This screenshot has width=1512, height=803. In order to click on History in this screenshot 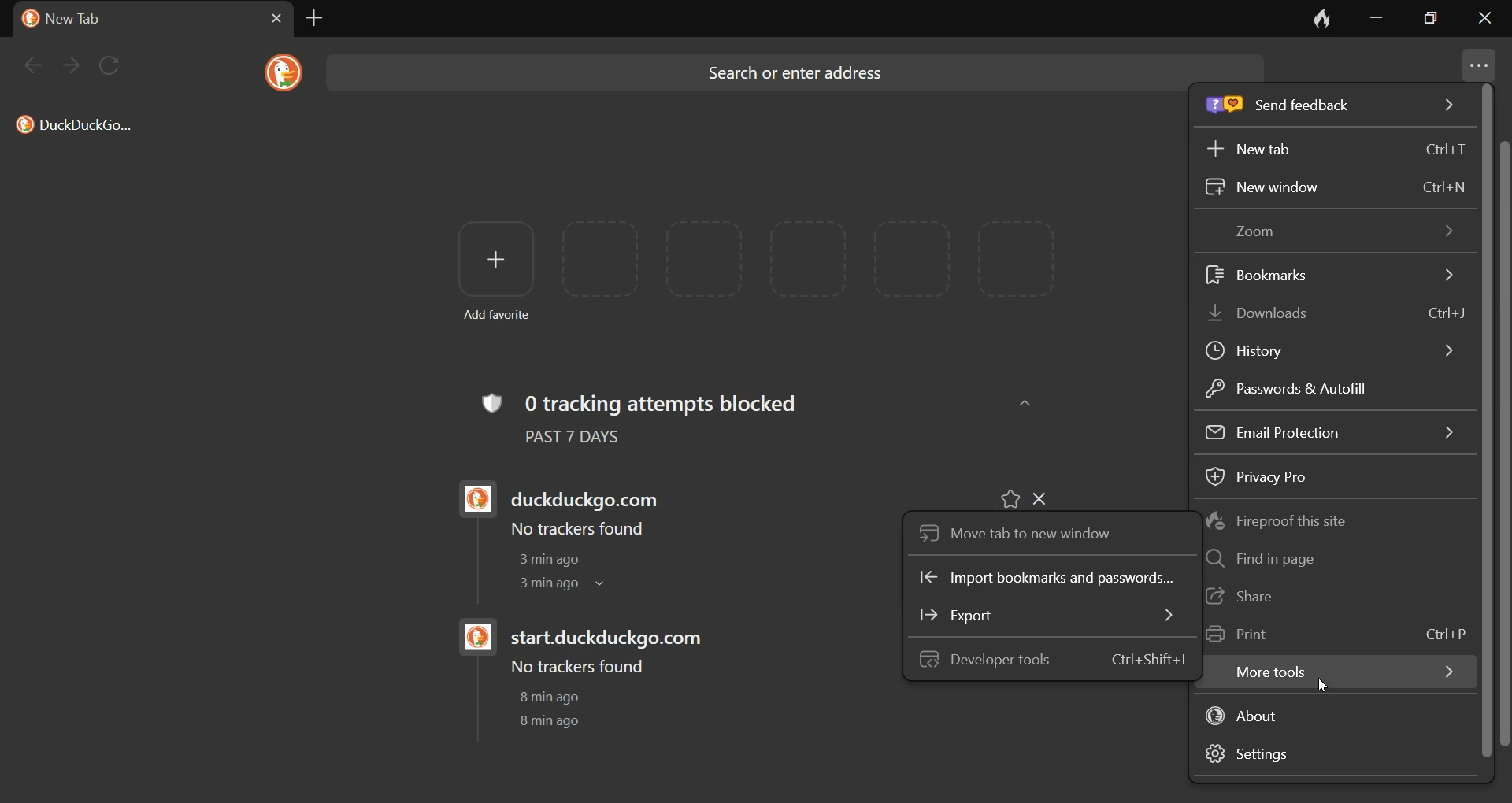, I will do `click(1333, 347)`.